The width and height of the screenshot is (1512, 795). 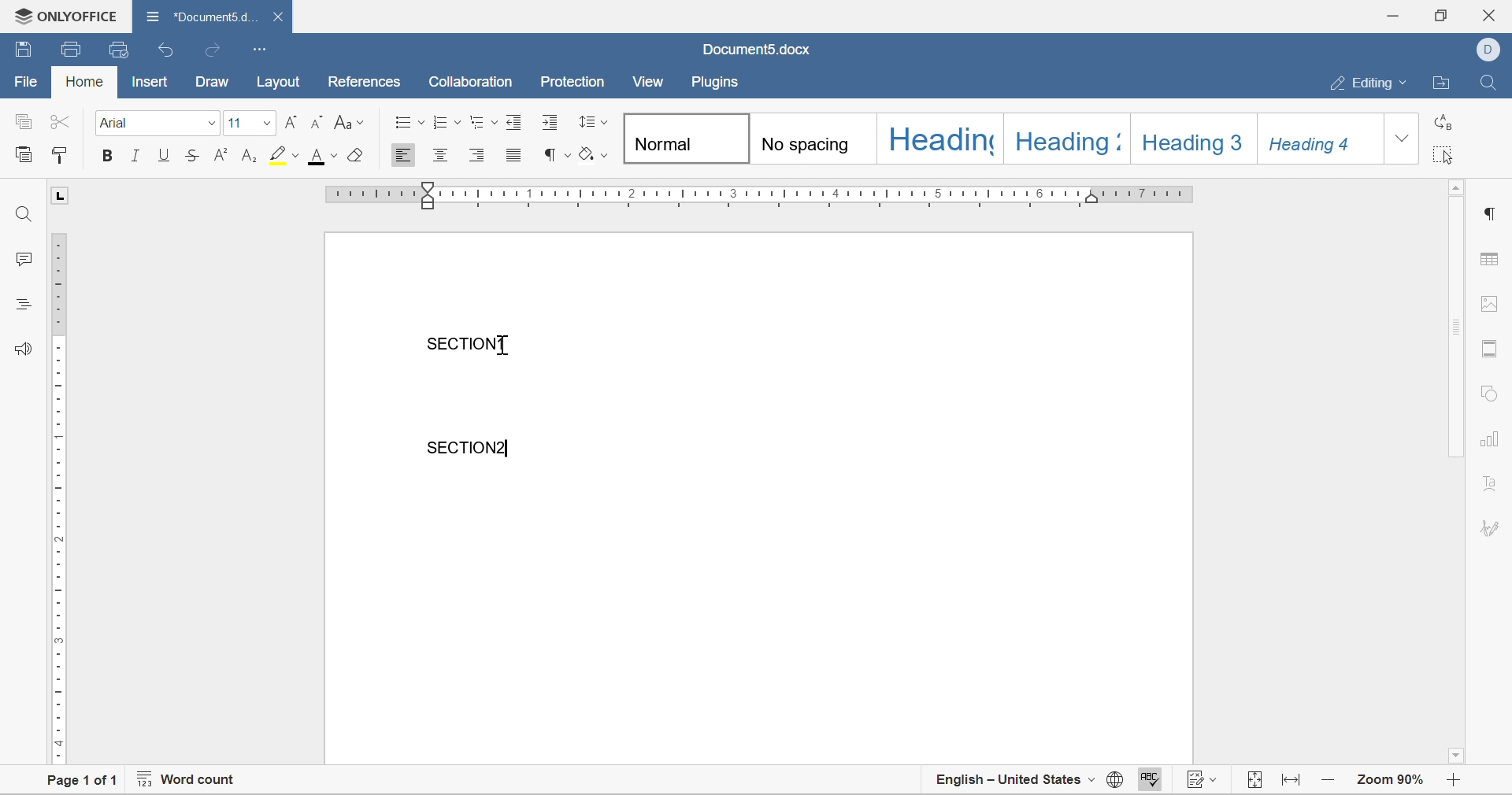 What do you see at coordinates (649, 81) in the screenshot?
I see `view` at bounding box center [649, 81].